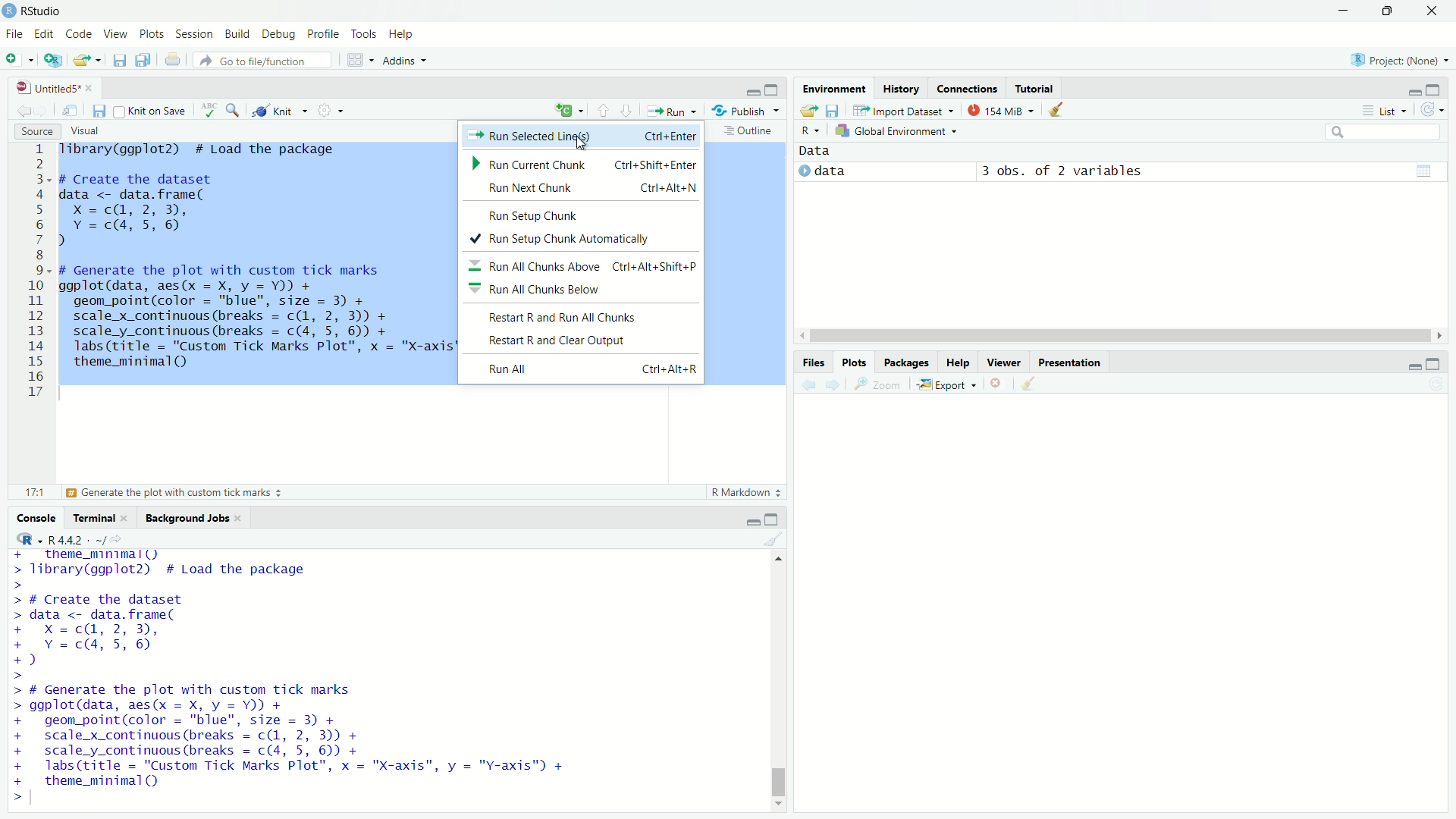  Describe the element at coordinates (88, 131) in the screenshot. I see `visual` at that location.